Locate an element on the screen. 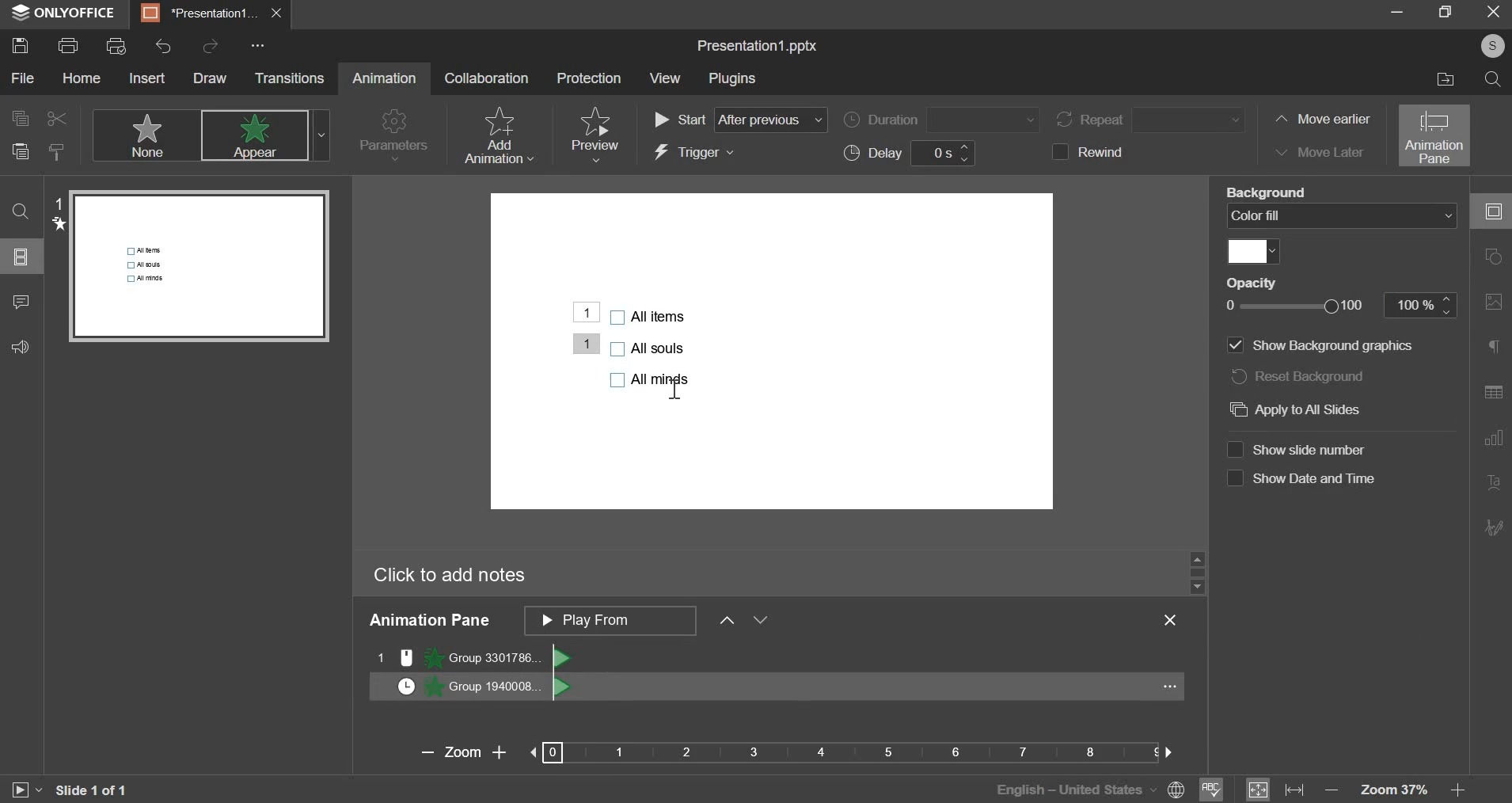 The image size is (1512, 803). view is located at coordinates (666, 78).